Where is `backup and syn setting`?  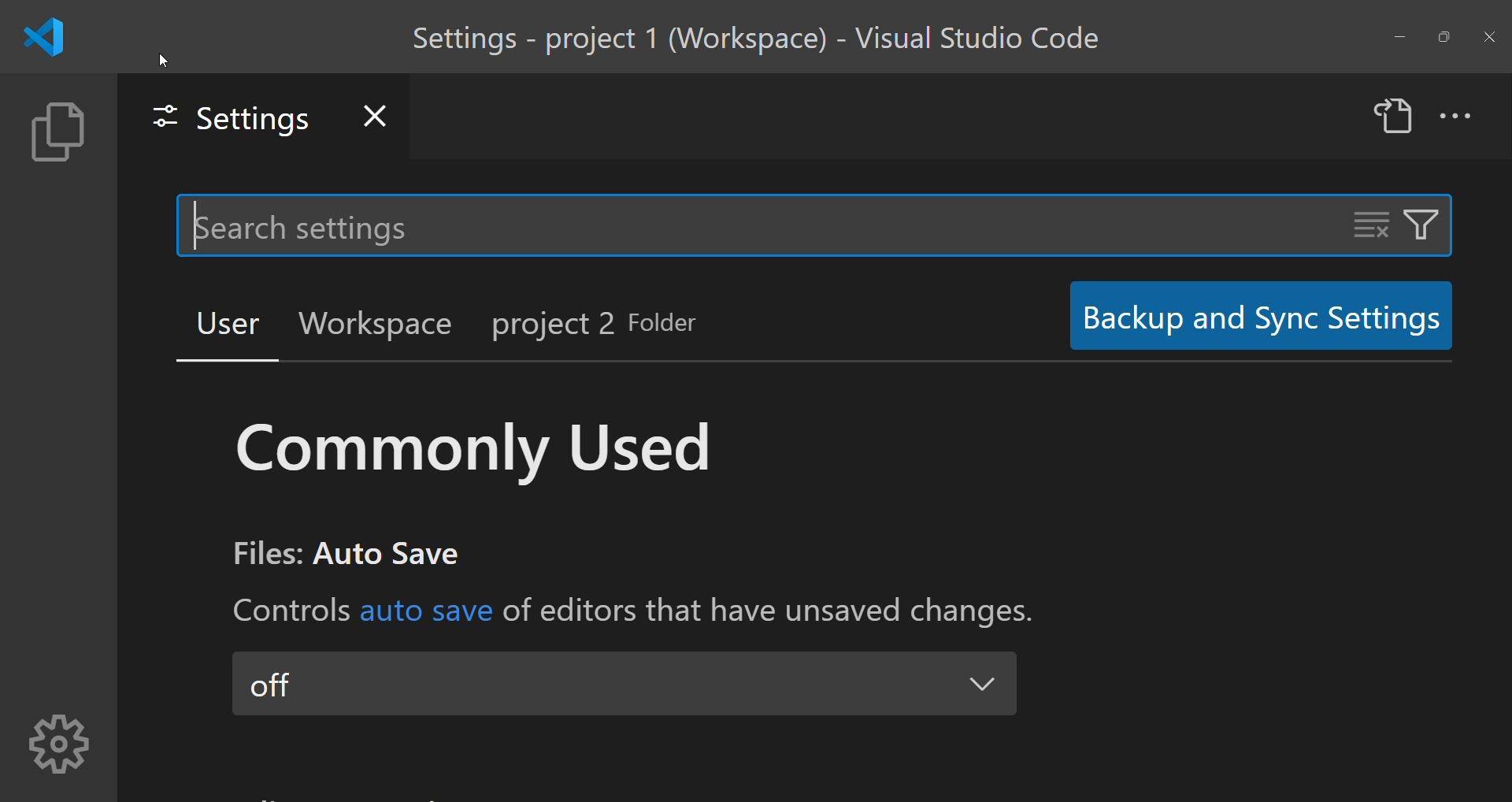 backup and syn setting is located at coordinates (1252, 316).